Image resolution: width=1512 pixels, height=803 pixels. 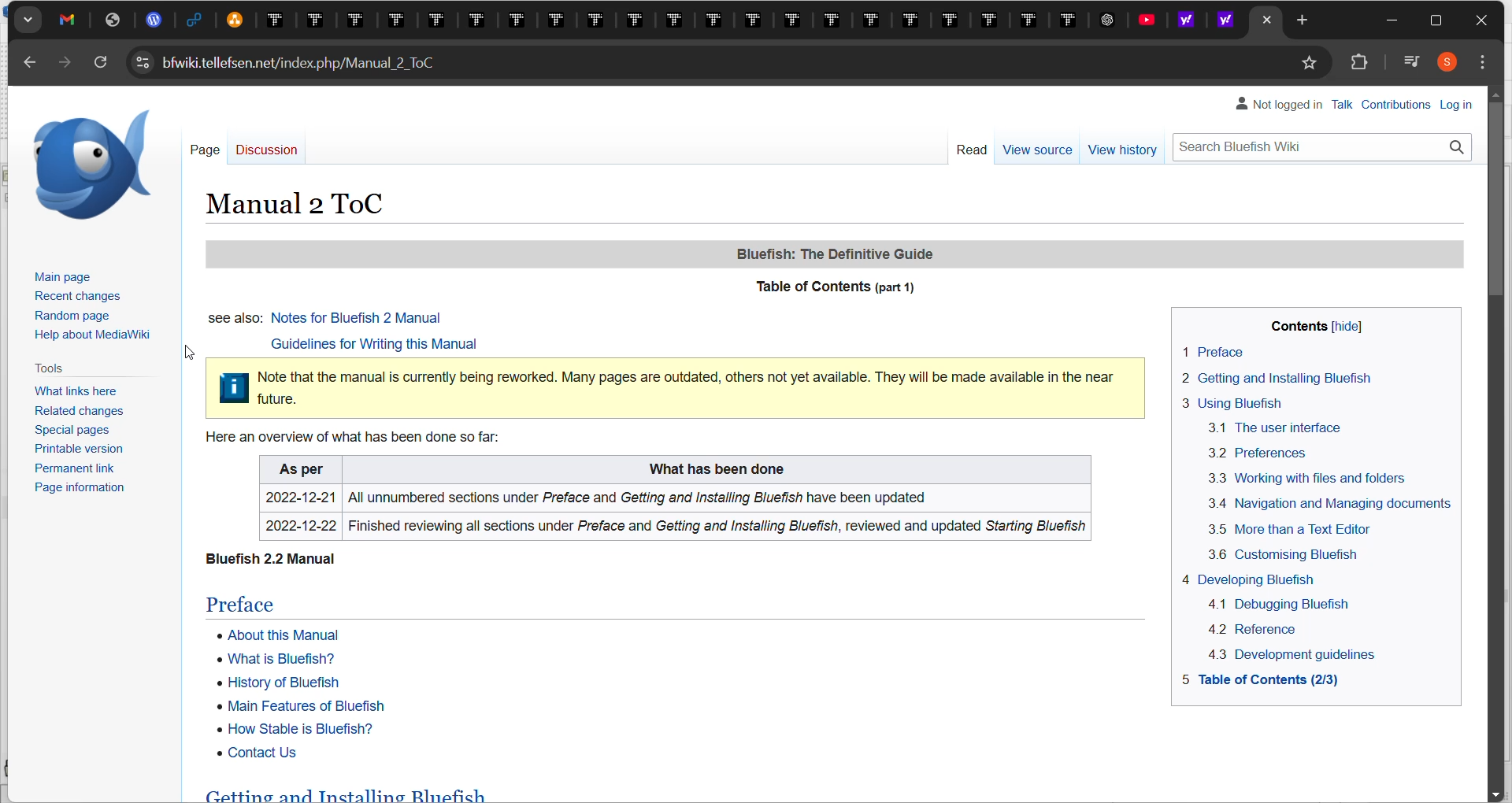 What do you see at coordinates (1481, 22) in the screenshot?
I see `close` at bounding box center [1481, 22].